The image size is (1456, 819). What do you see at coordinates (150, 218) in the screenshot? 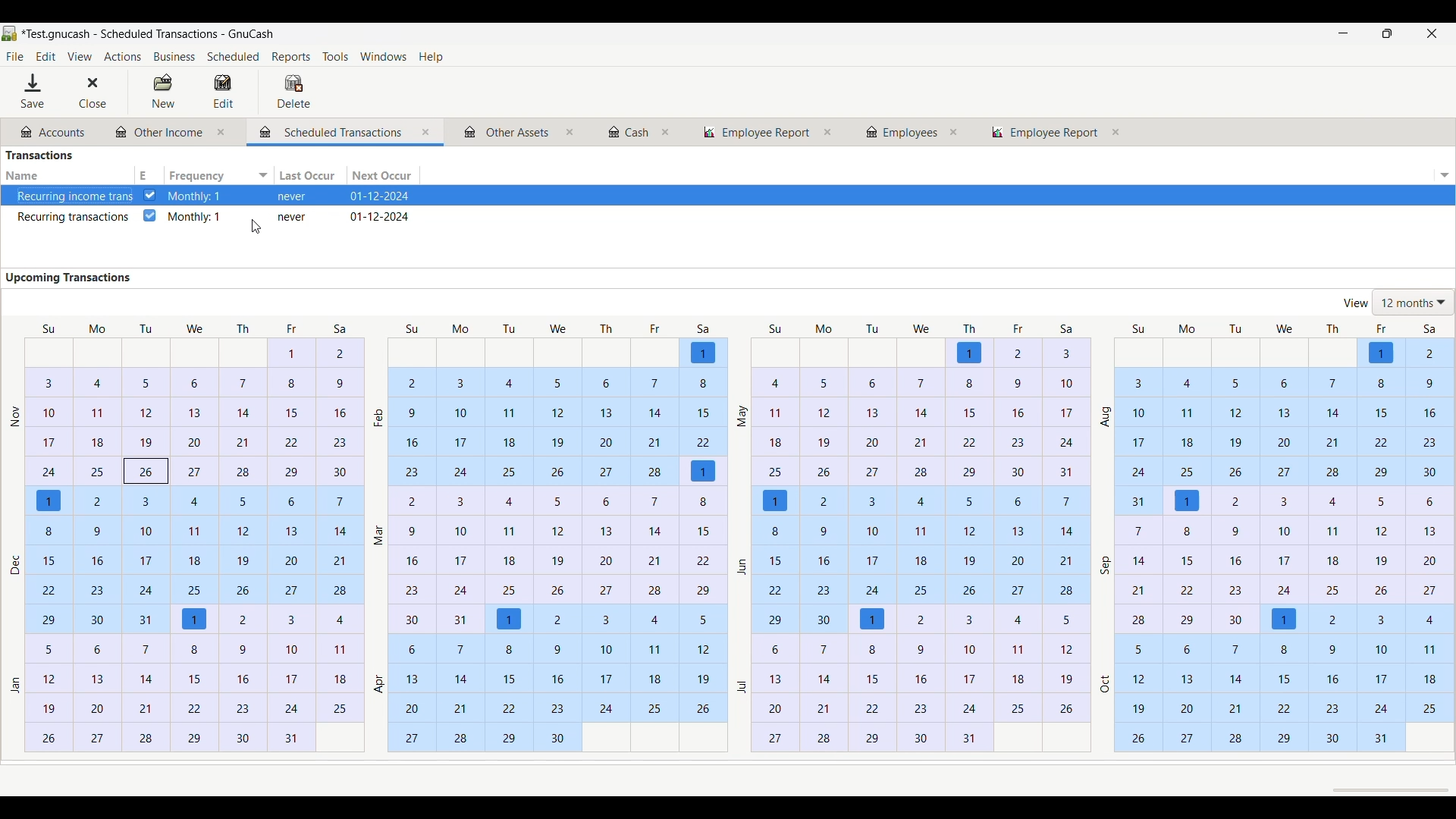
I see `checkbox` at bounding box center [150, 218].